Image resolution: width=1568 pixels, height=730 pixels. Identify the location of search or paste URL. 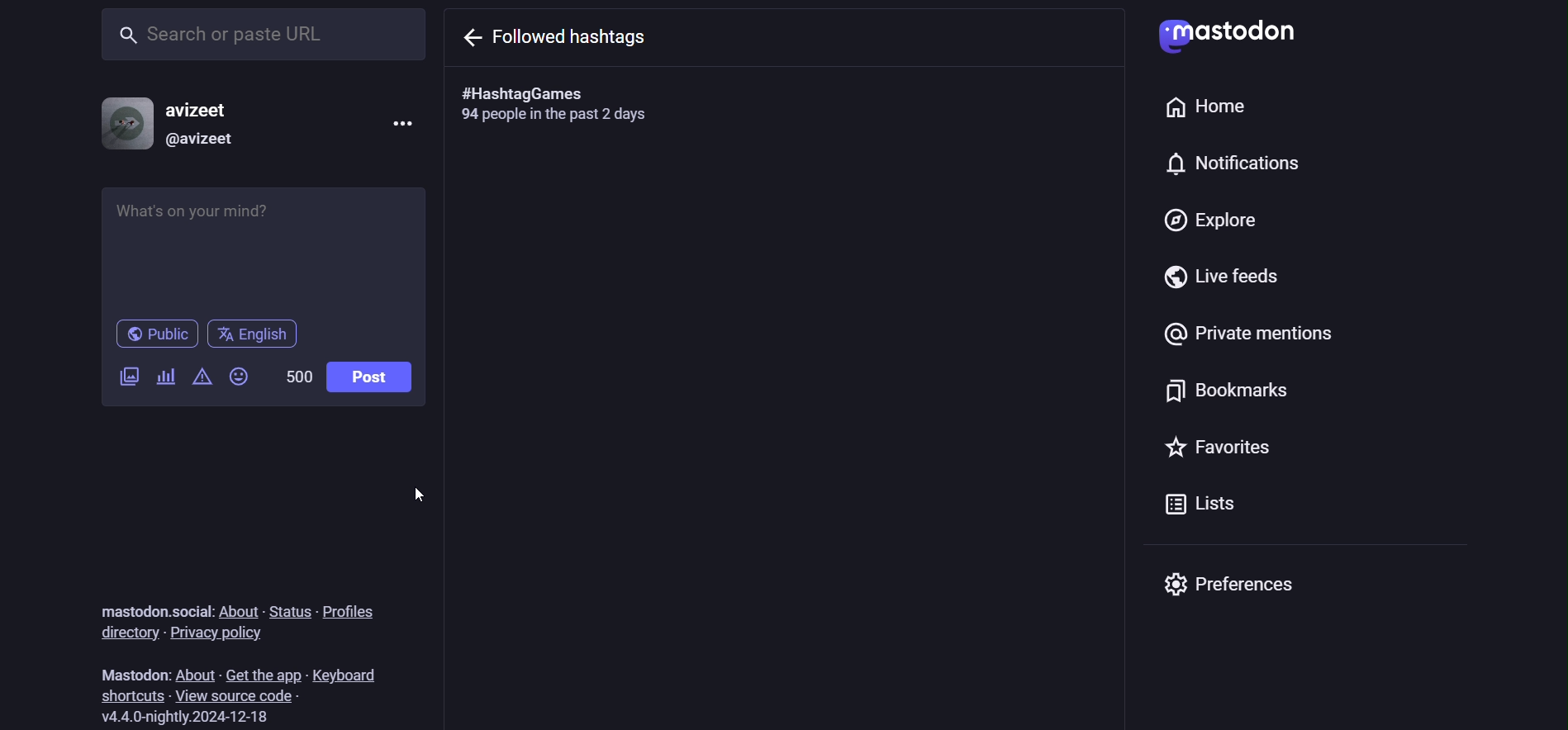
(257, 36).